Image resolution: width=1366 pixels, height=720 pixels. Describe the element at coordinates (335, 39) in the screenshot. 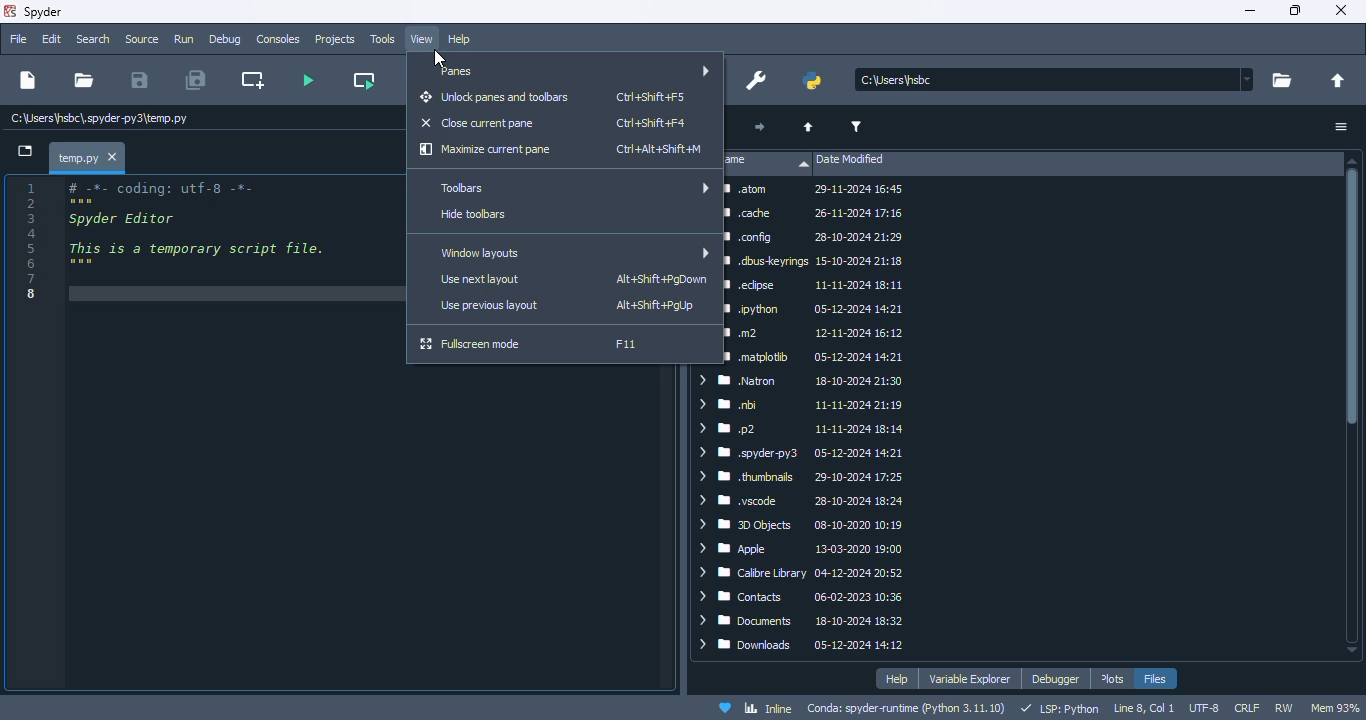

I see `projects` at that location.